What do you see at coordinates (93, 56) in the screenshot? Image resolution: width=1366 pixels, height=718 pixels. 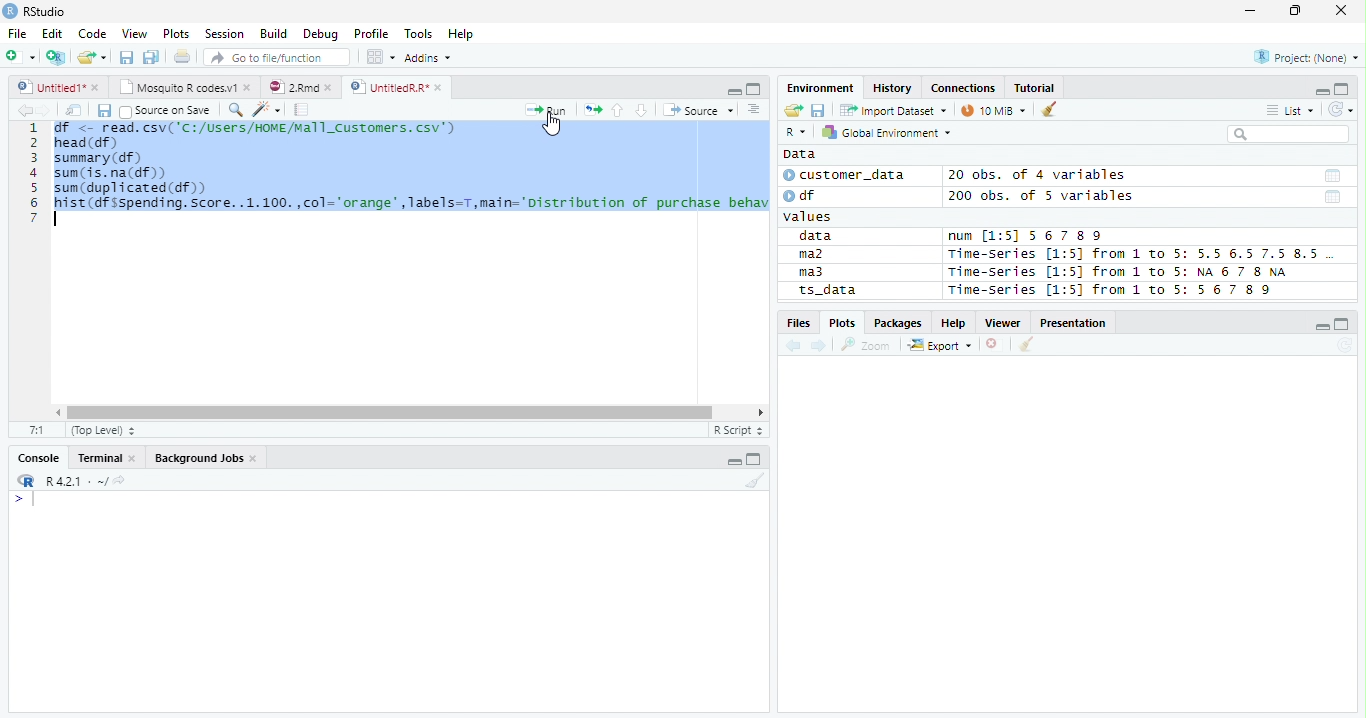 I see `Open Folder` at bounding box center [93, 56].